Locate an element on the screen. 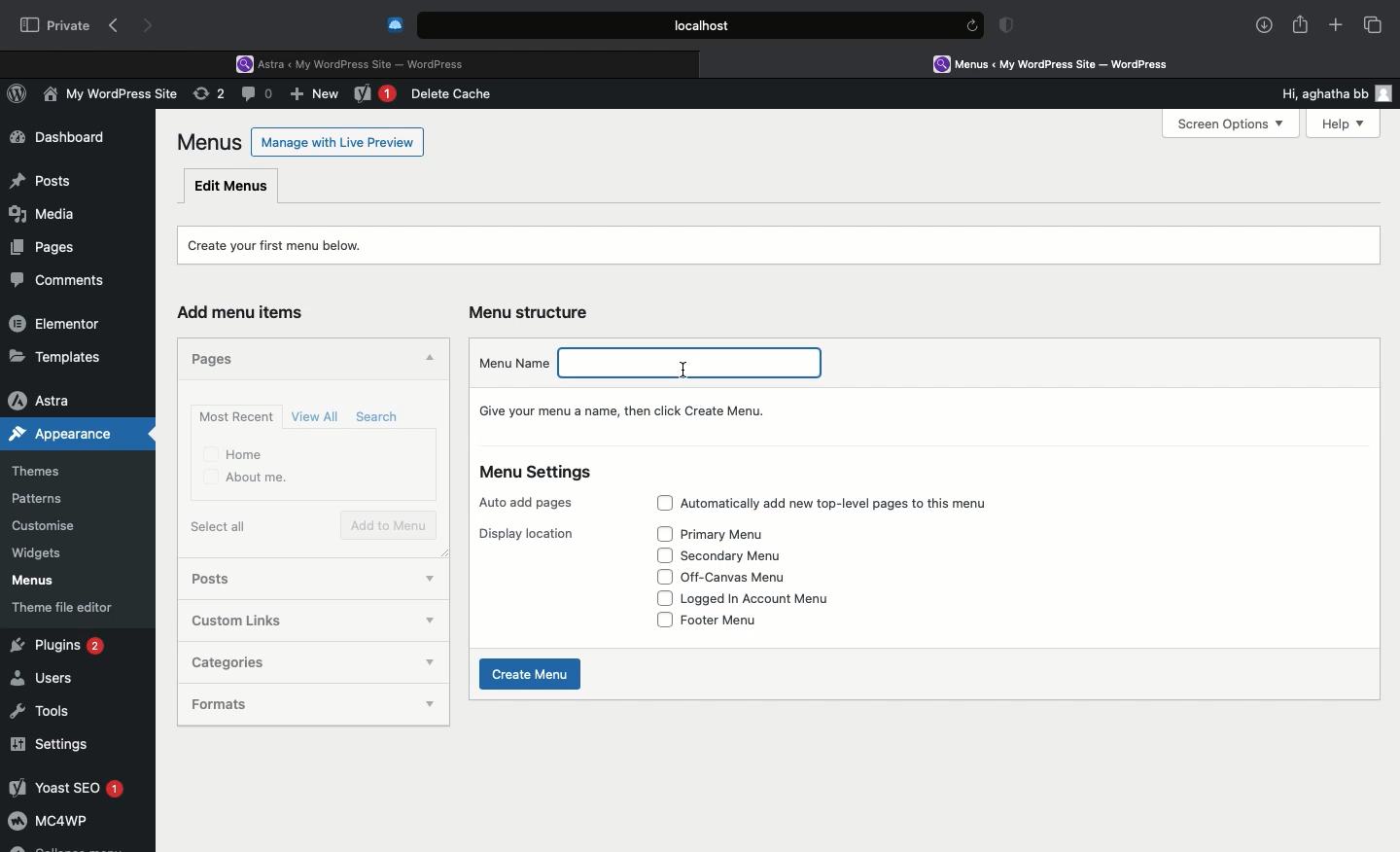 The width and height of the screenshot is (1400, 852). Menu name is located at coordinates (512, 362).